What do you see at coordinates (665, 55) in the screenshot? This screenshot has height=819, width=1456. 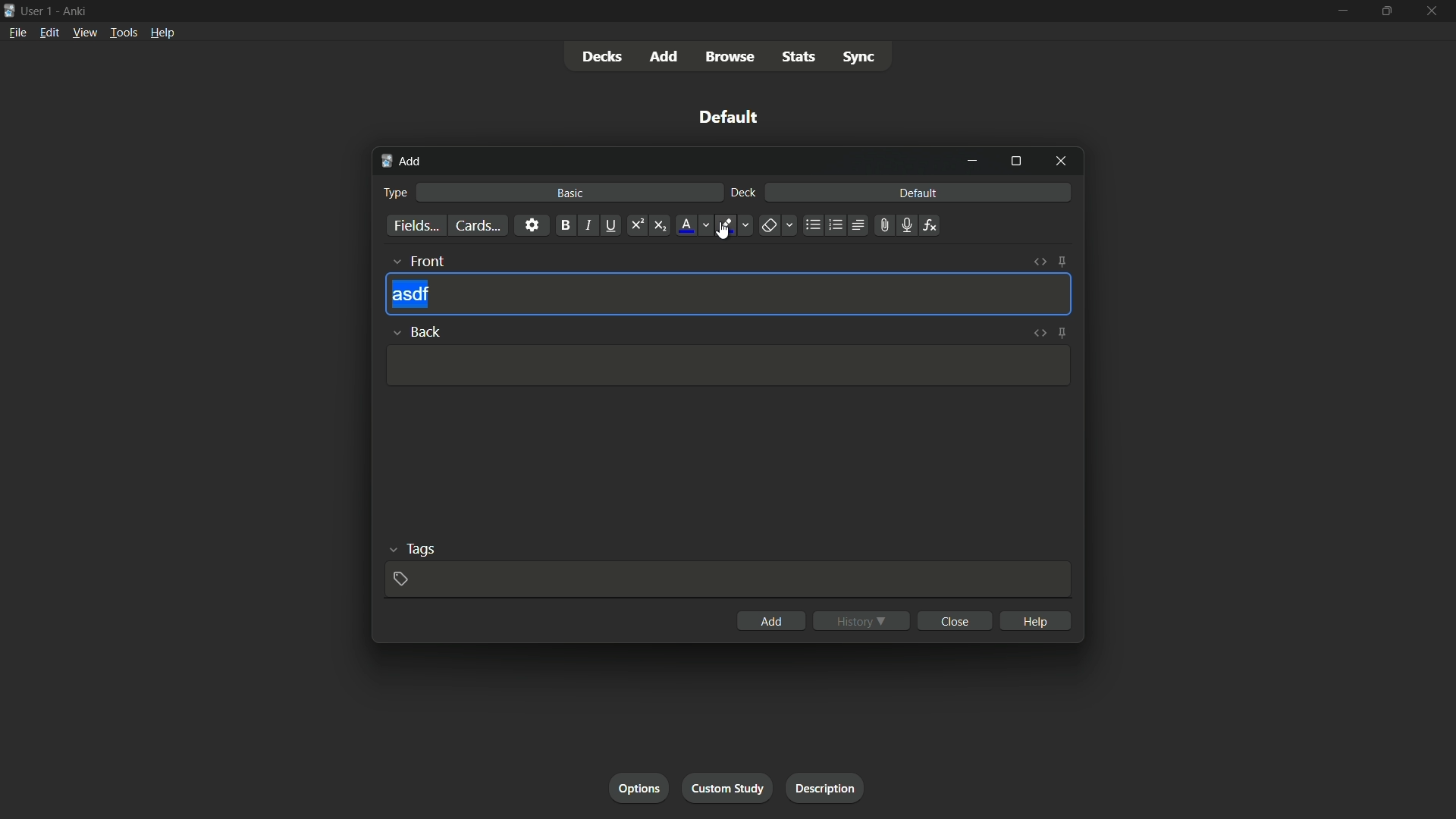 I see `add` at bounding box center [665, 55].